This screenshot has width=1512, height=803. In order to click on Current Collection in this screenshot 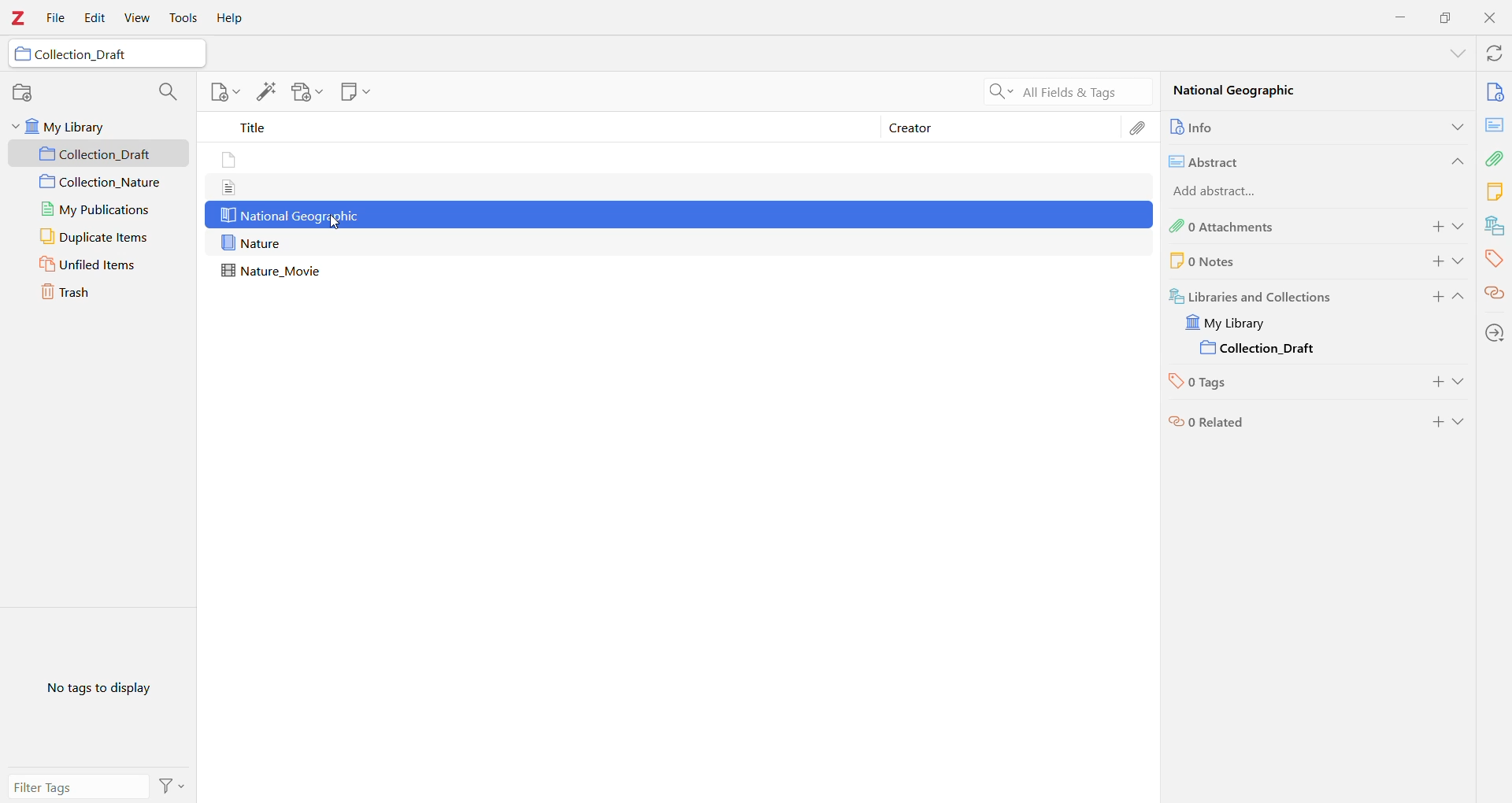, I will do `click(1262, 350)`.